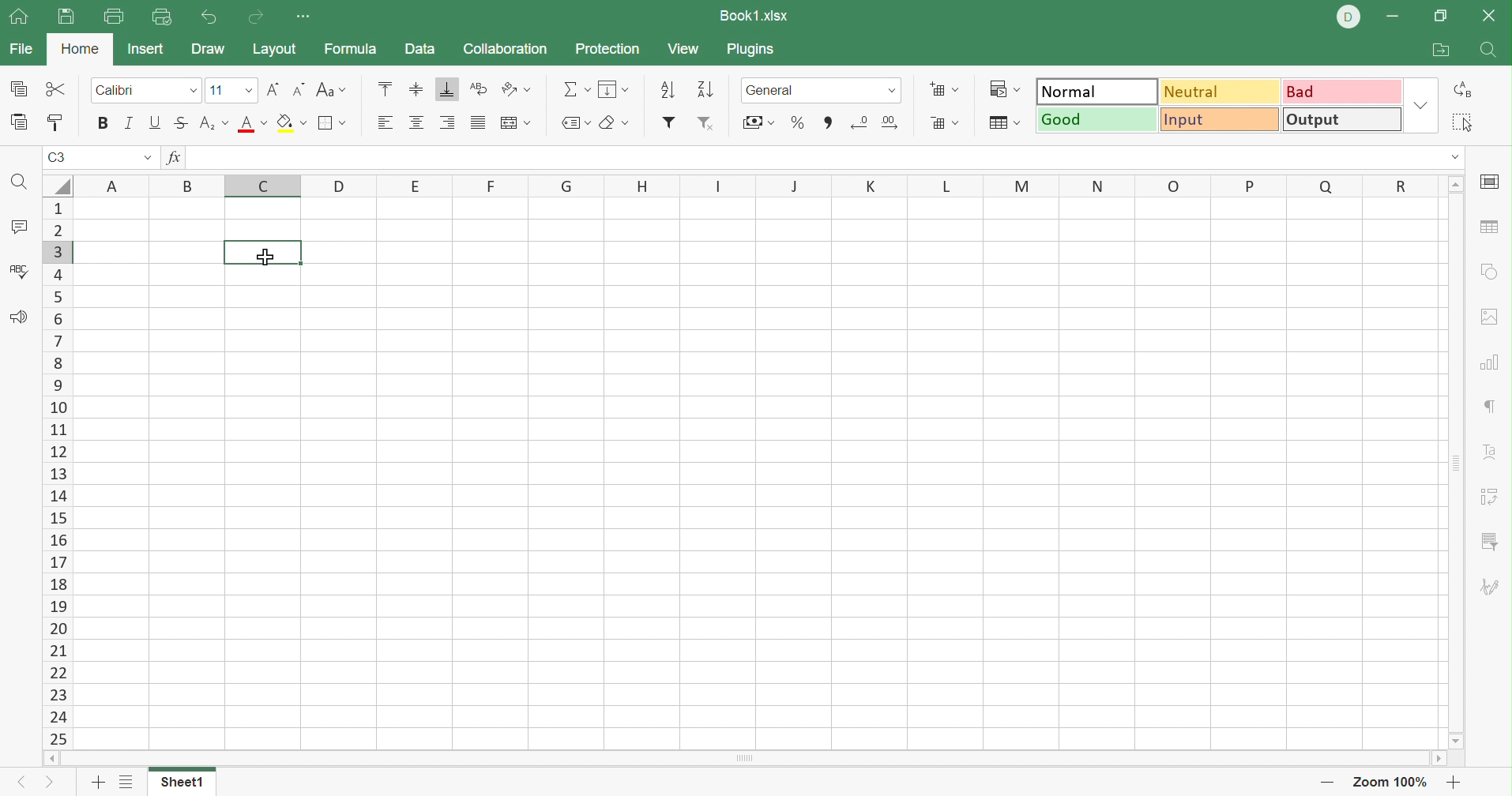 The width and height of the screenshot is (1512, 796). Describe the element at coordinates (264, 252) in the screenshot. I see `selected cells` at that location.